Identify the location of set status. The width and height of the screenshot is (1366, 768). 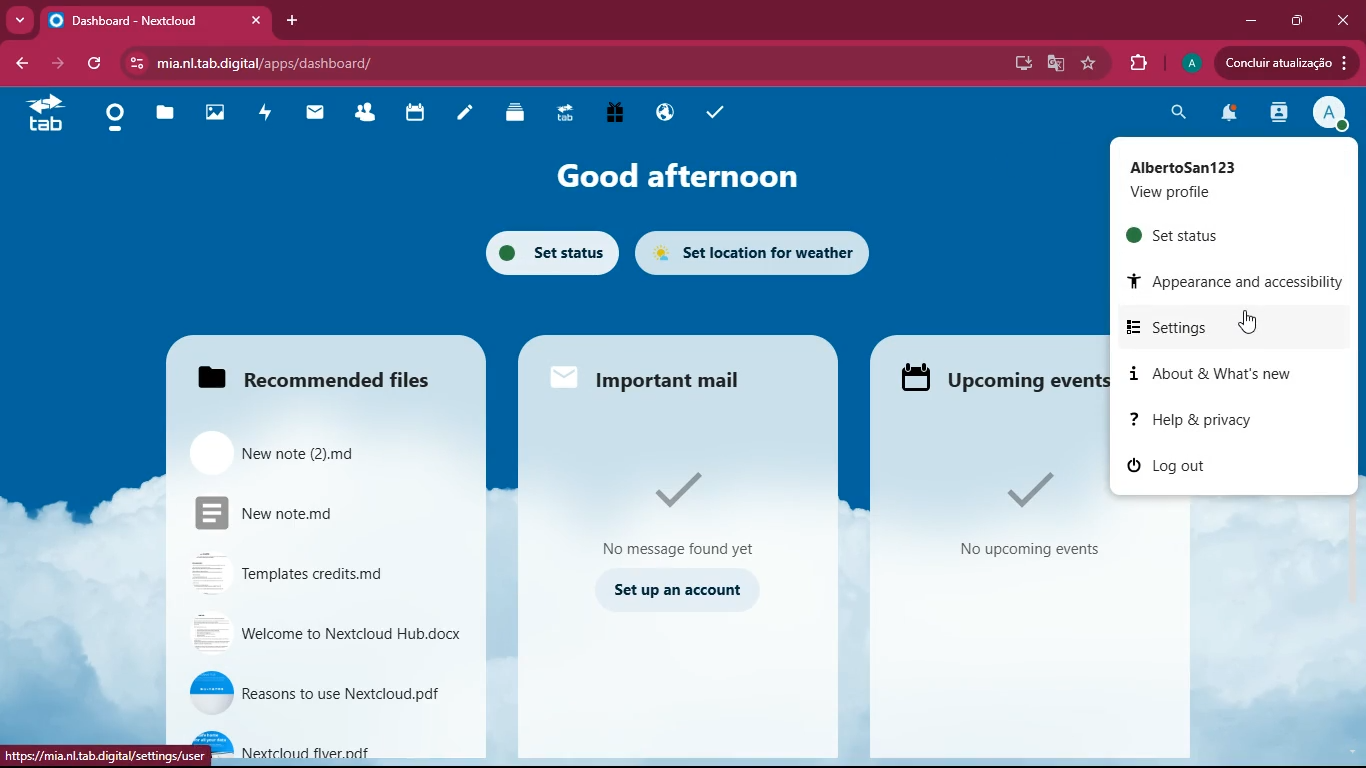
(1224, 234).